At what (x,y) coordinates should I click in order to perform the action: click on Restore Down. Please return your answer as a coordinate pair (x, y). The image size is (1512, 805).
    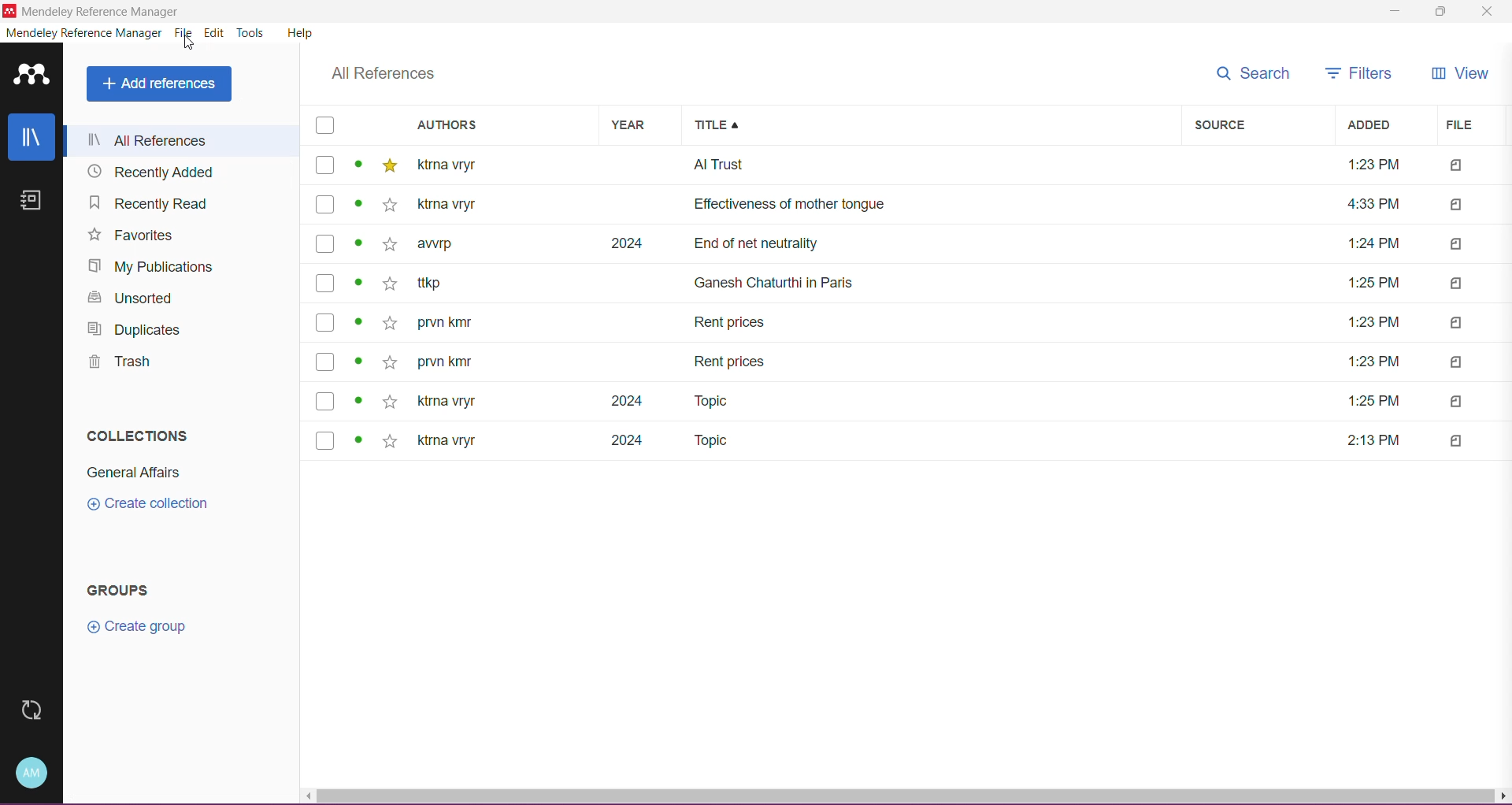
    Looking at the image, I should click on (1439, 13).